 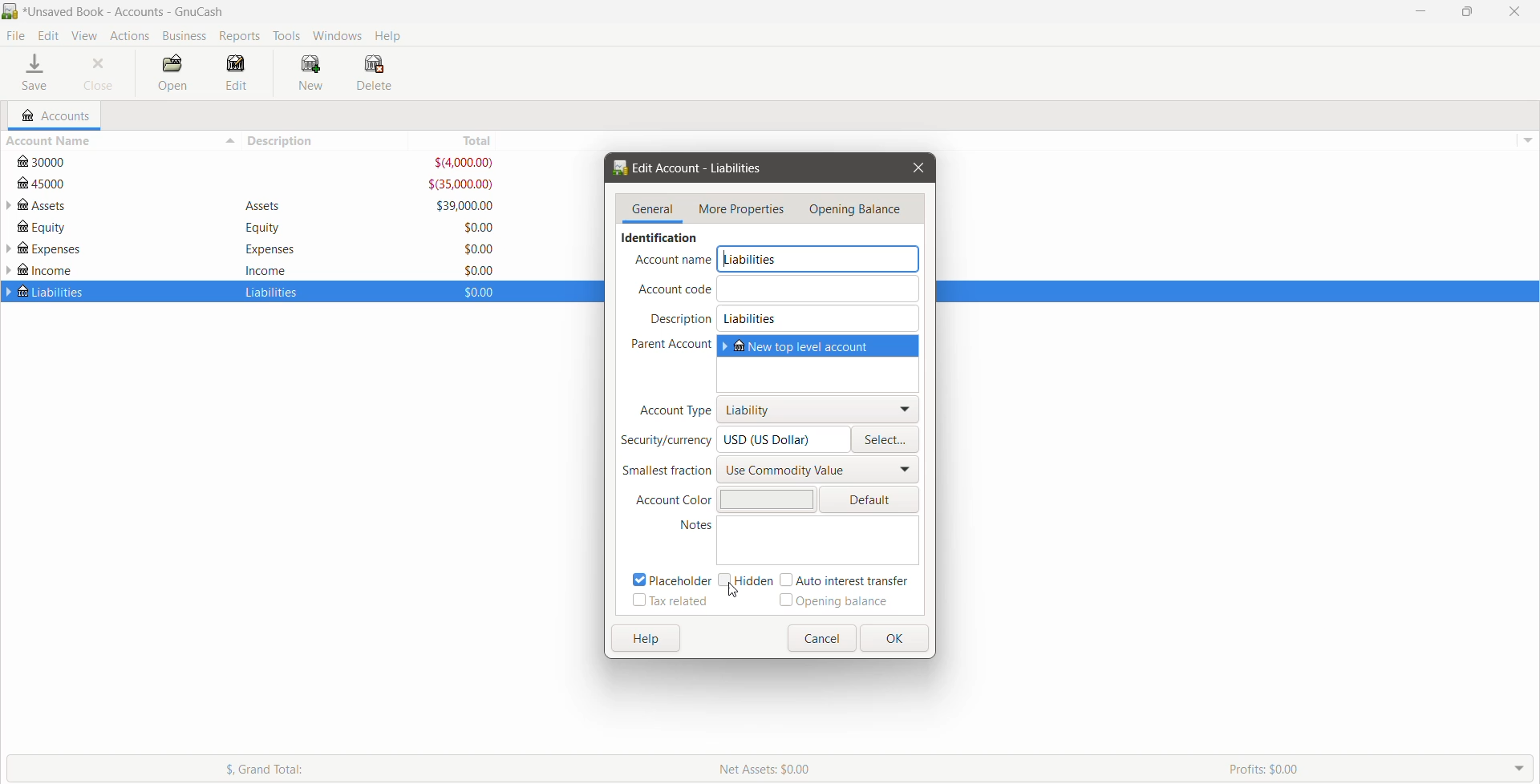 I want to click on Accounts, so click(x=128, y=35).